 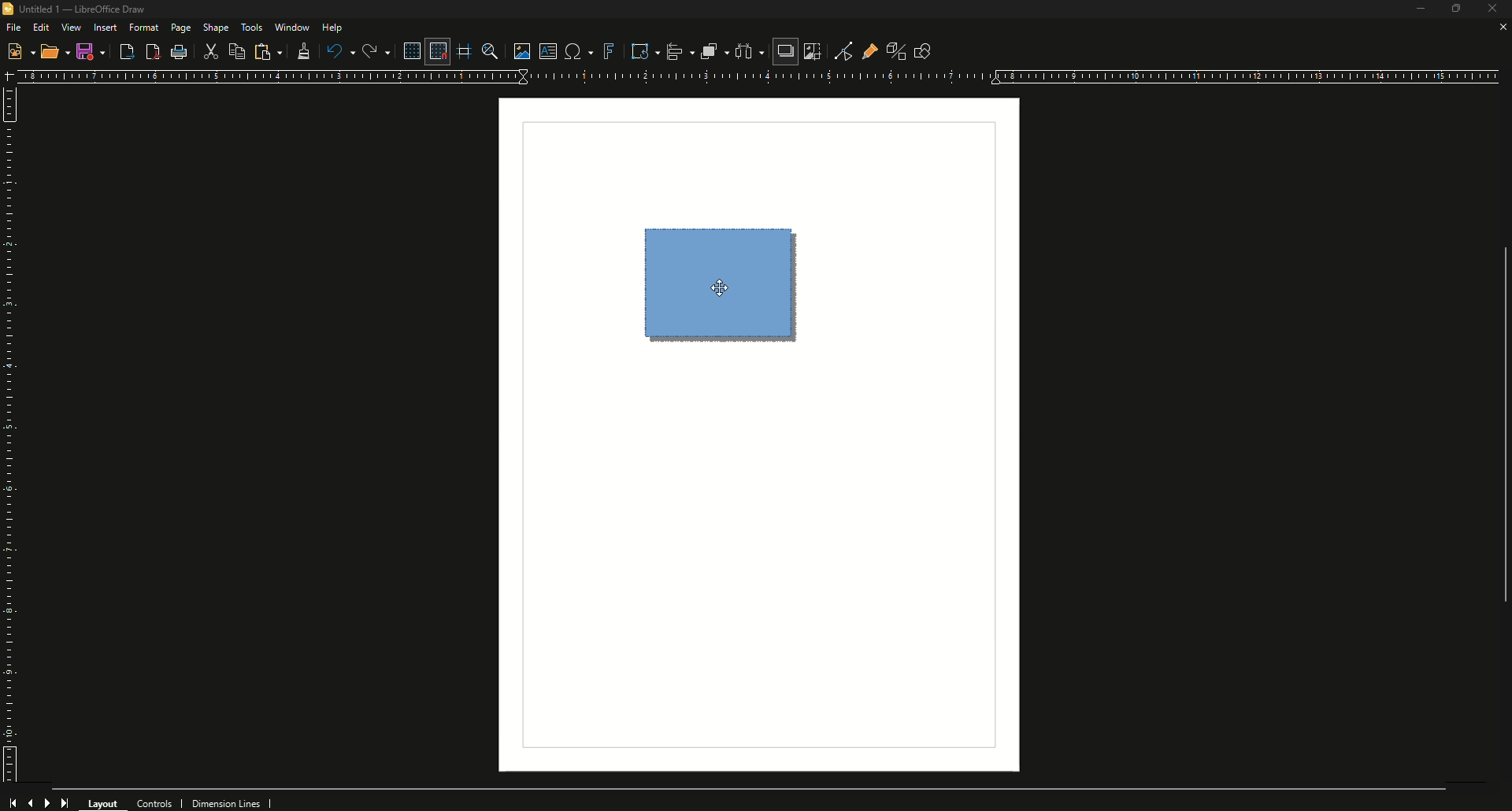 What do you see at coordinates (20, 50) in the screenshot?
I see `New` at bounding box center [20, 50].